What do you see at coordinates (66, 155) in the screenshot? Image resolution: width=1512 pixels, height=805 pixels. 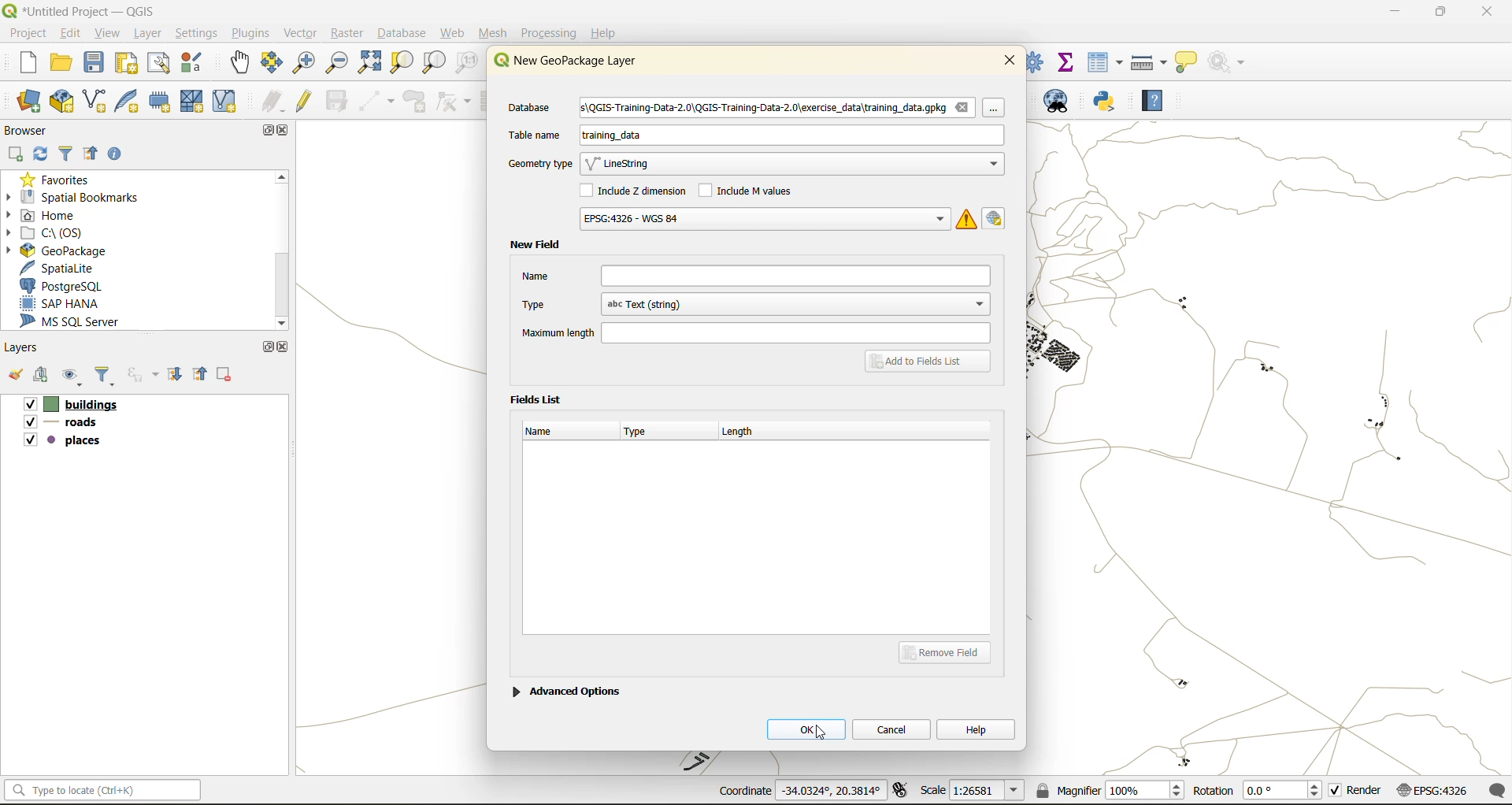 I see `filter` at bounding box center [66, 155].